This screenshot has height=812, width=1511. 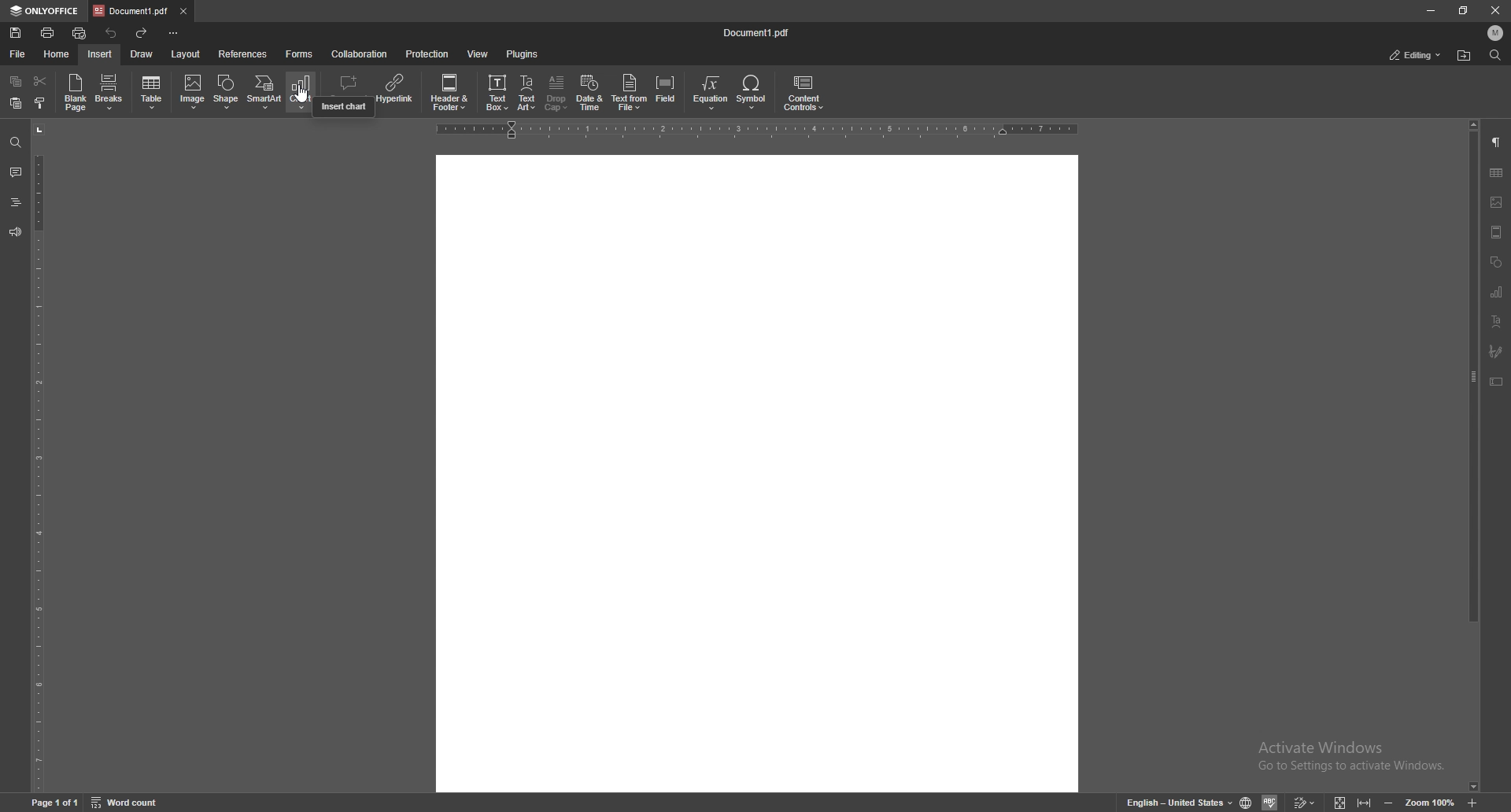 I want to click on find, so click(x=1496, y=56).